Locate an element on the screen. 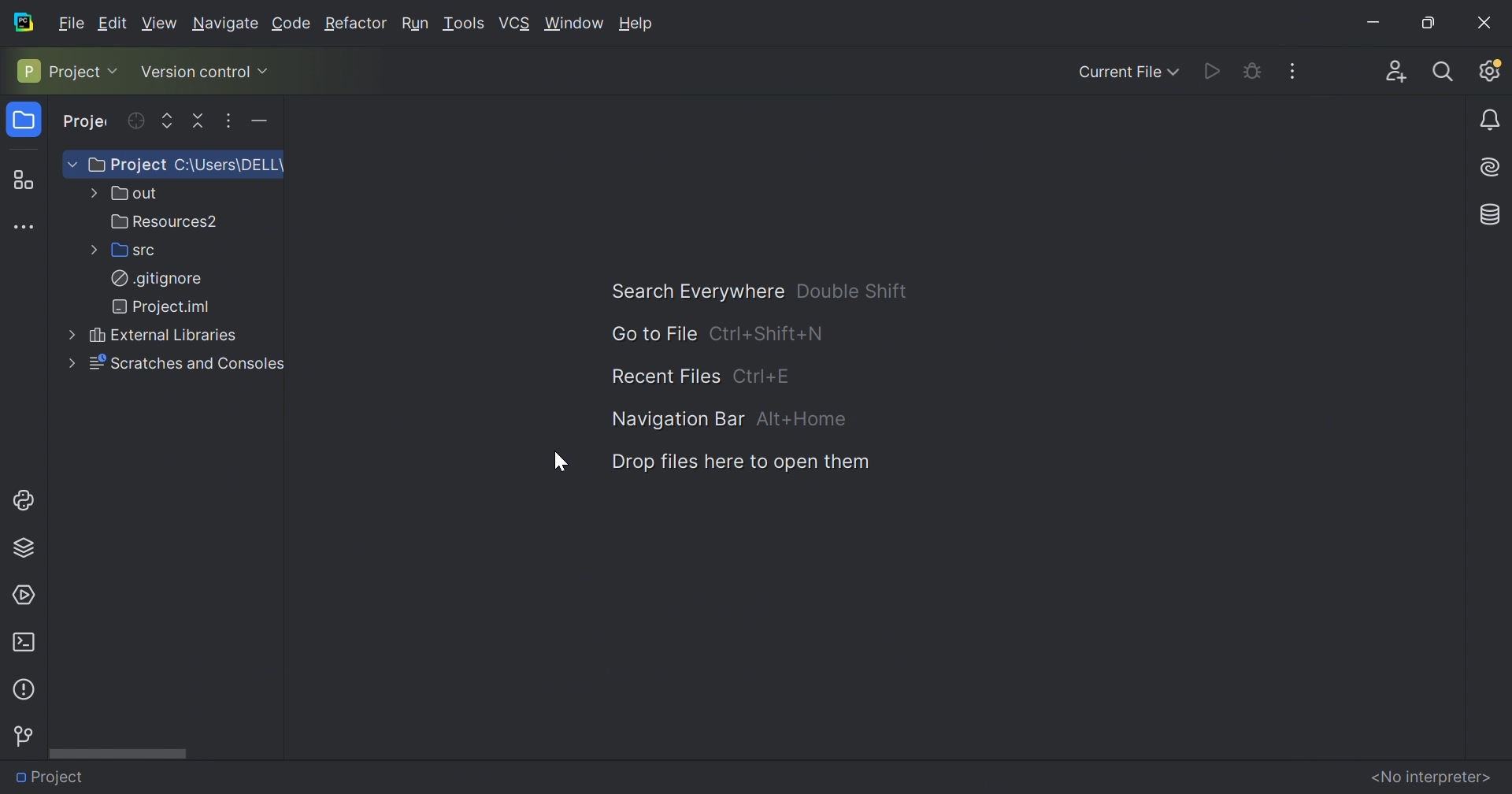  Ctrl+Shift+N is located at coordinates (771, 333).